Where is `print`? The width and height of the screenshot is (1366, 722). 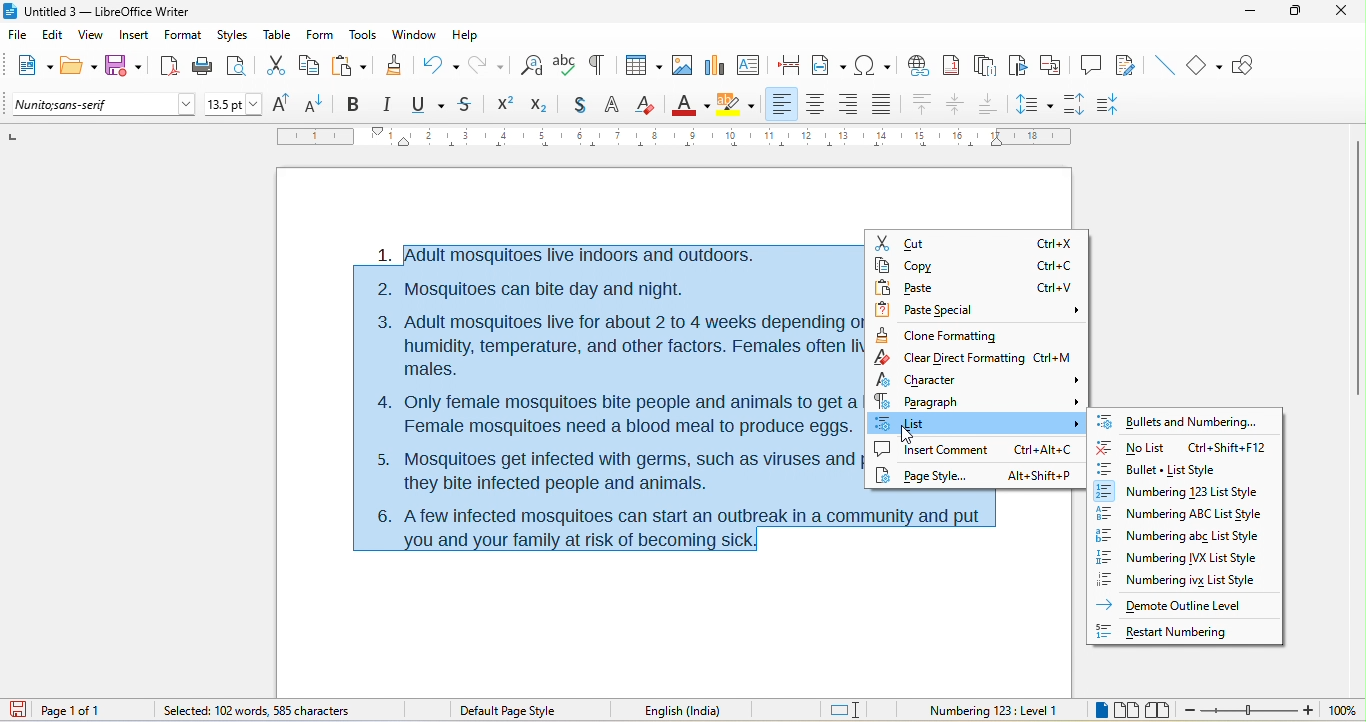
print is located at coordinates (202, 69).